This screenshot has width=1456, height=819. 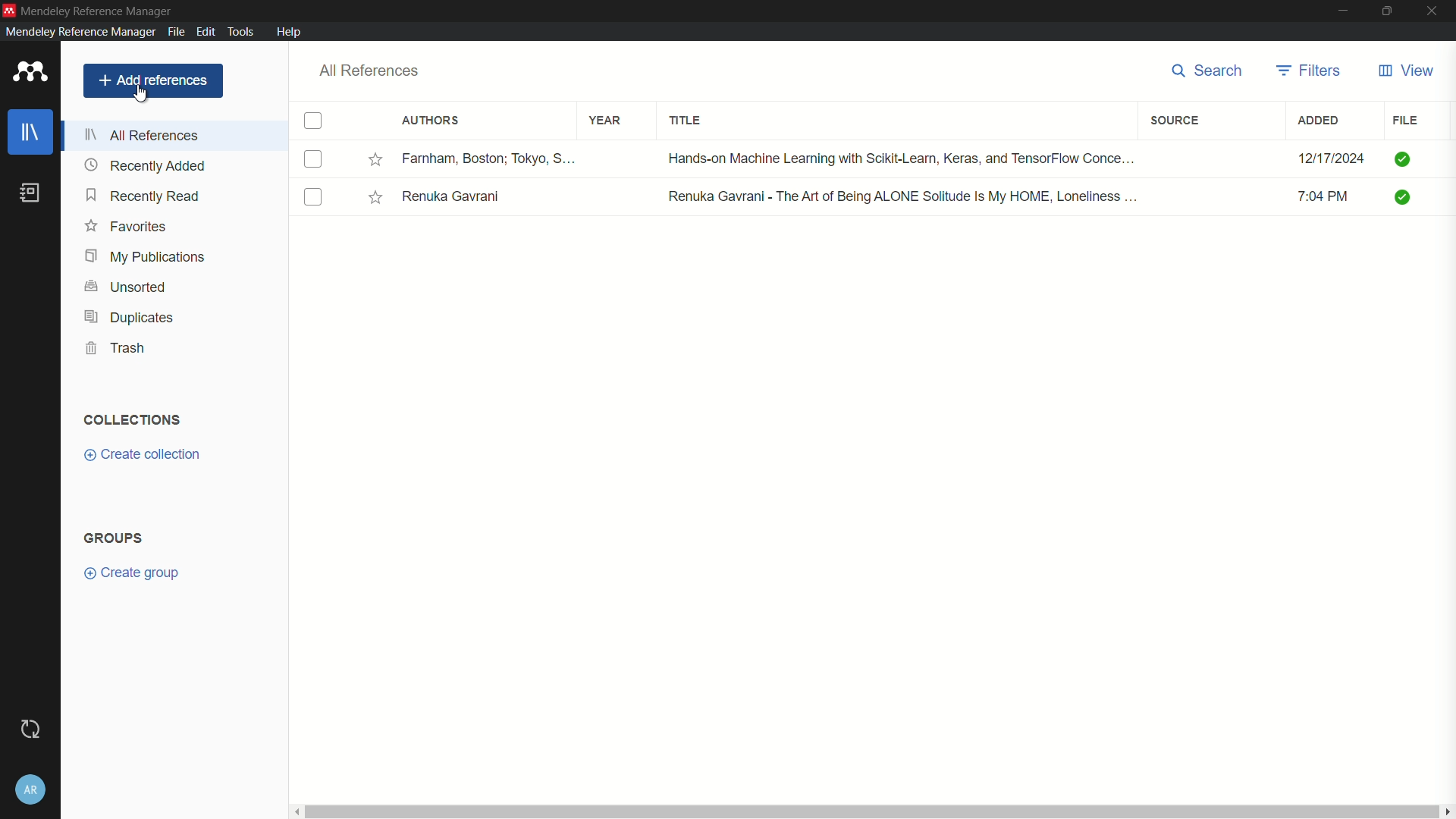 What do you see at coordinates (376, 197) in the screenshot?
I see `favorites` at bounding box center [376, 197].